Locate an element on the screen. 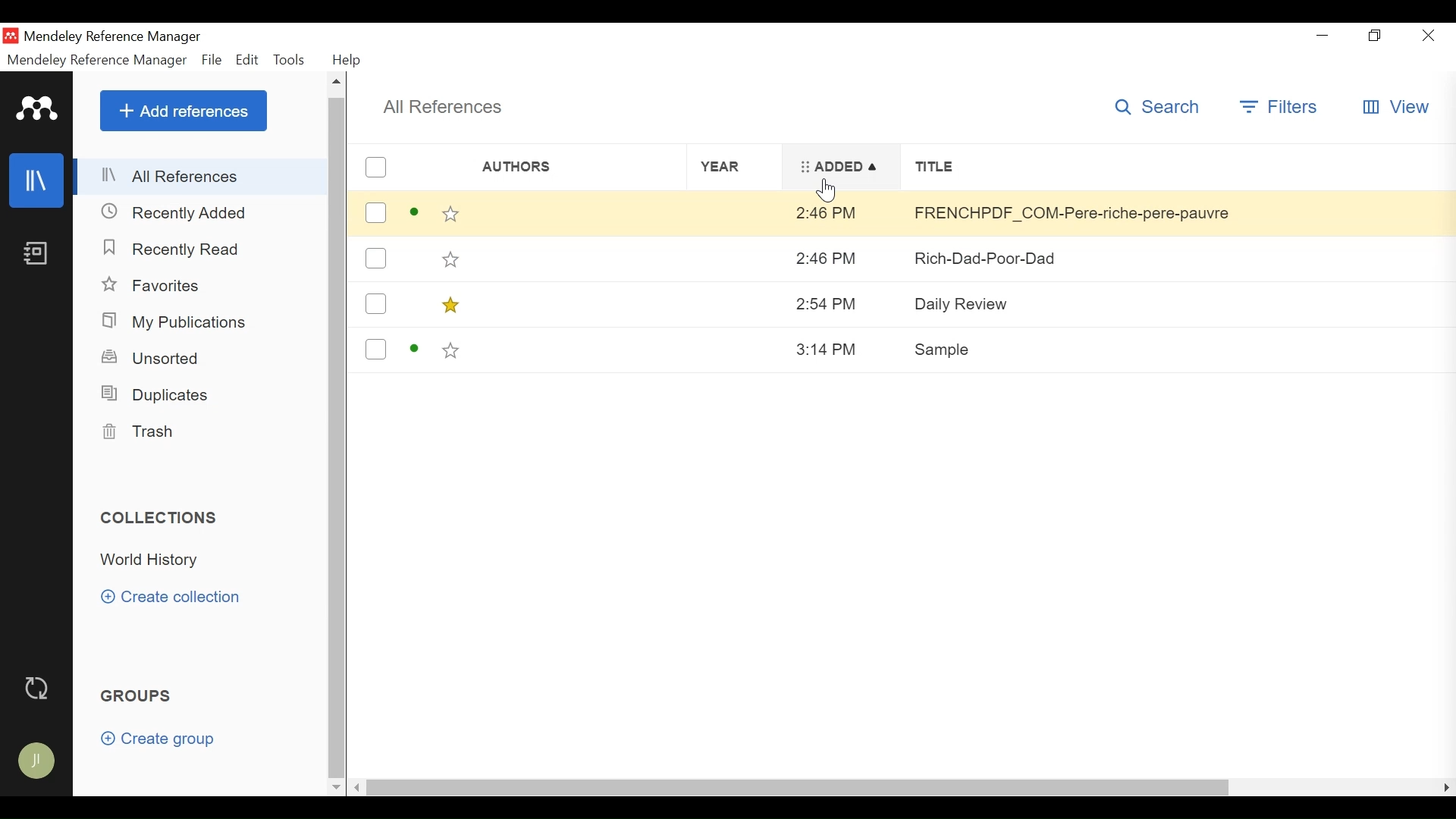  FRENCHPDF COM-Pere-riche-pere-pauvre is located at coordinates (1178, 259).